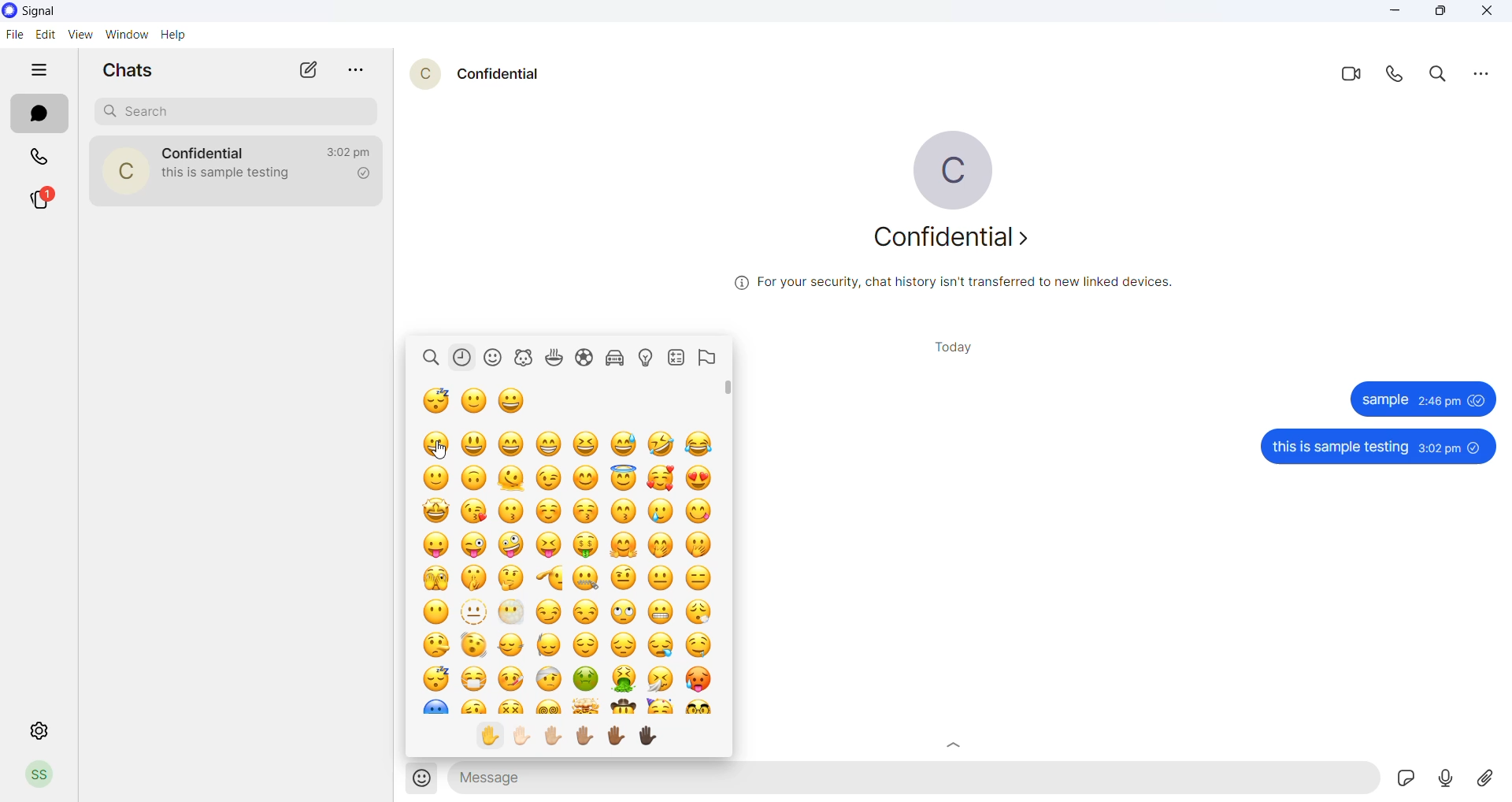 This screenshot has height=802, width=1512. What do you see at coordinates (1475, 73) in the screenshot?
I see `more options` at bounding box center [1475, 73].